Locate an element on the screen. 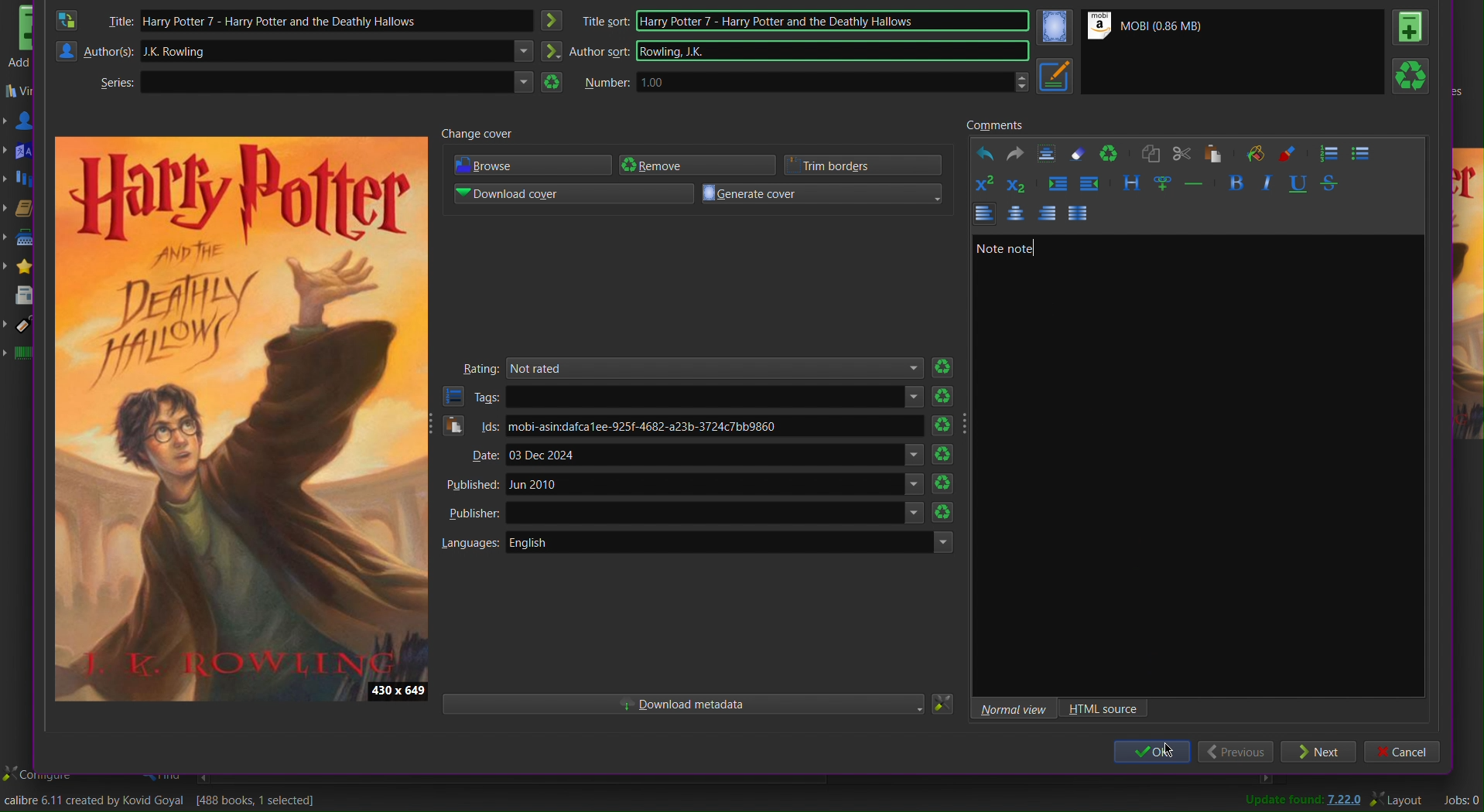 This screenshot has height=812, width=1484. Tags is located at coordinates (470, 396).